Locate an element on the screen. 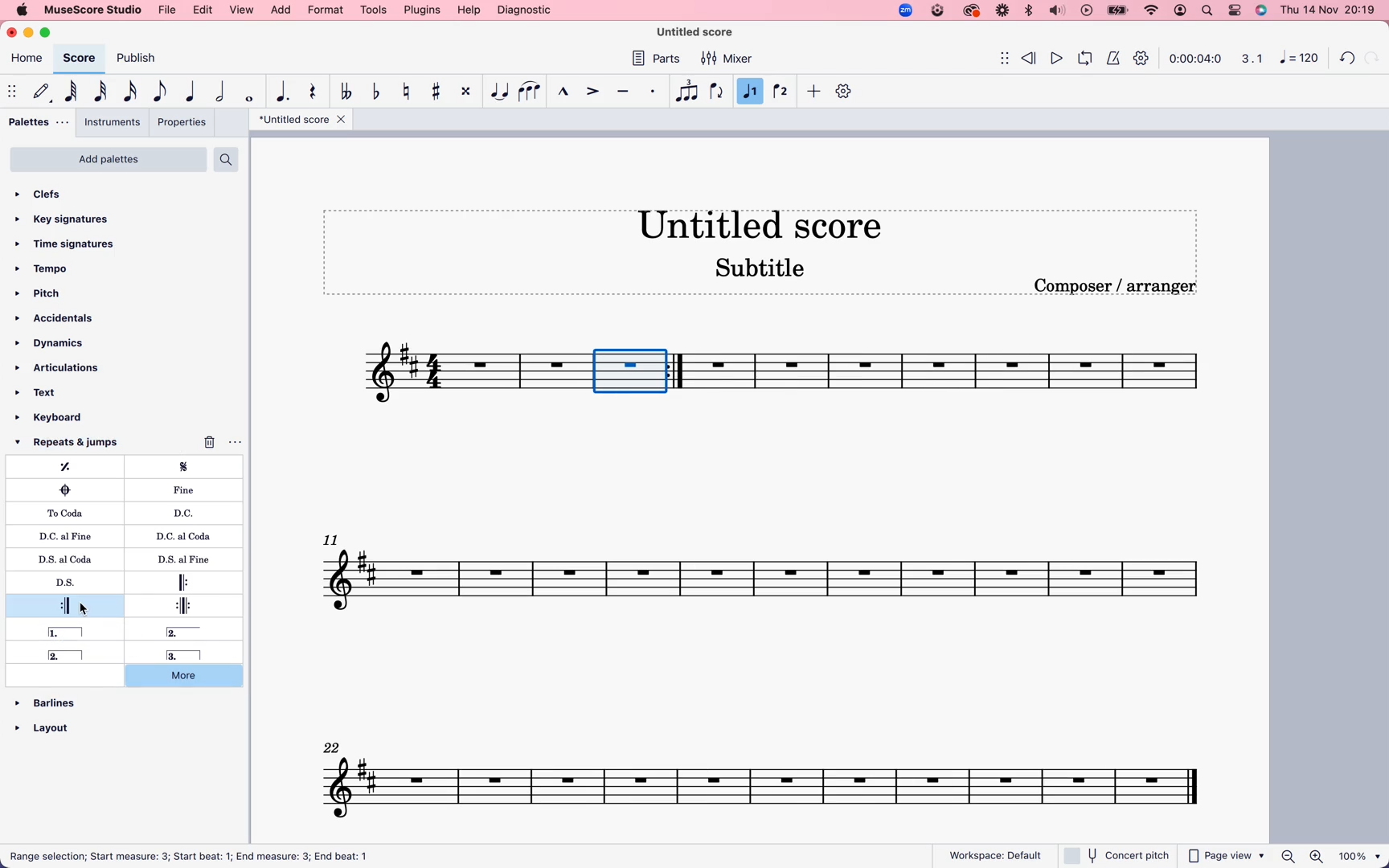 Image resolution: width=1389 pixels, height=868 pixels. creative cloud is located at coordinates (972, 12).